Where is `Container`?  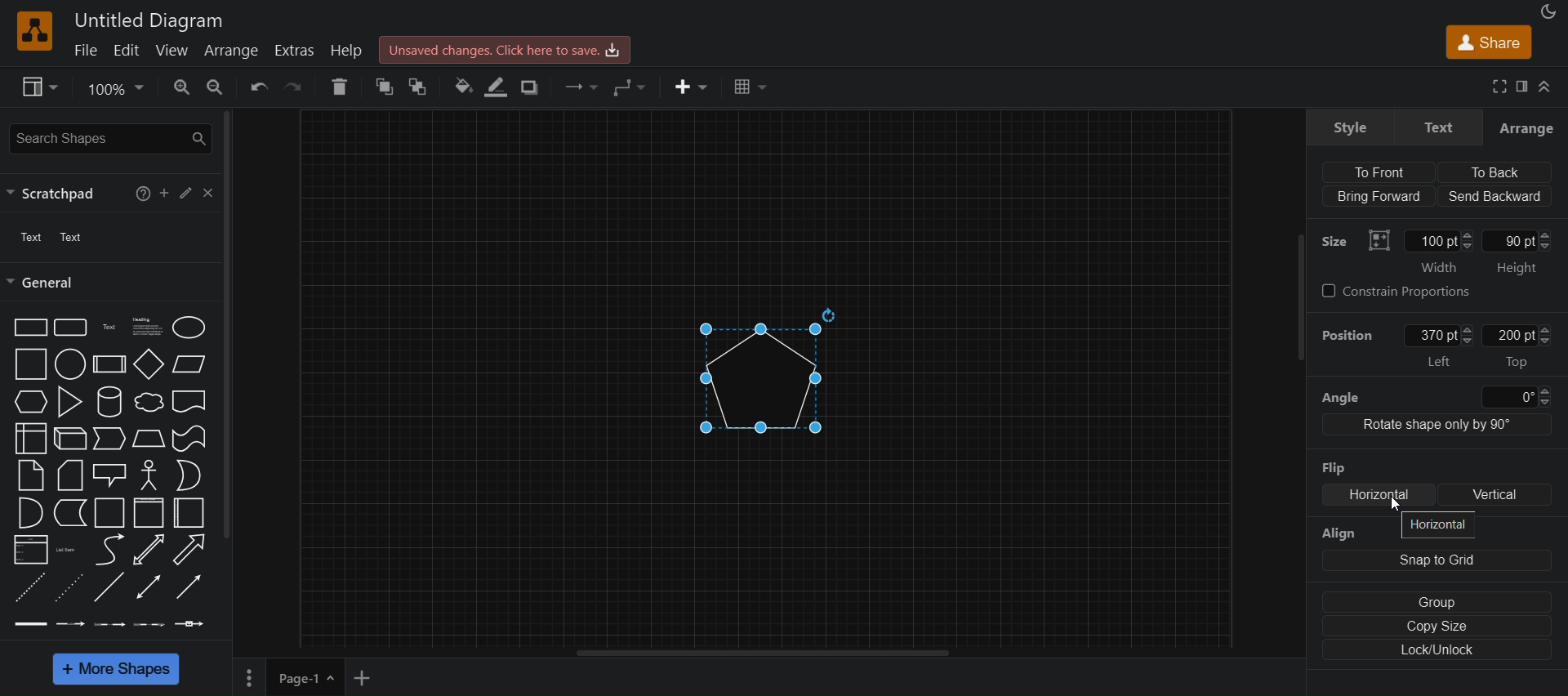 Container is located at coordinates (109, 513).